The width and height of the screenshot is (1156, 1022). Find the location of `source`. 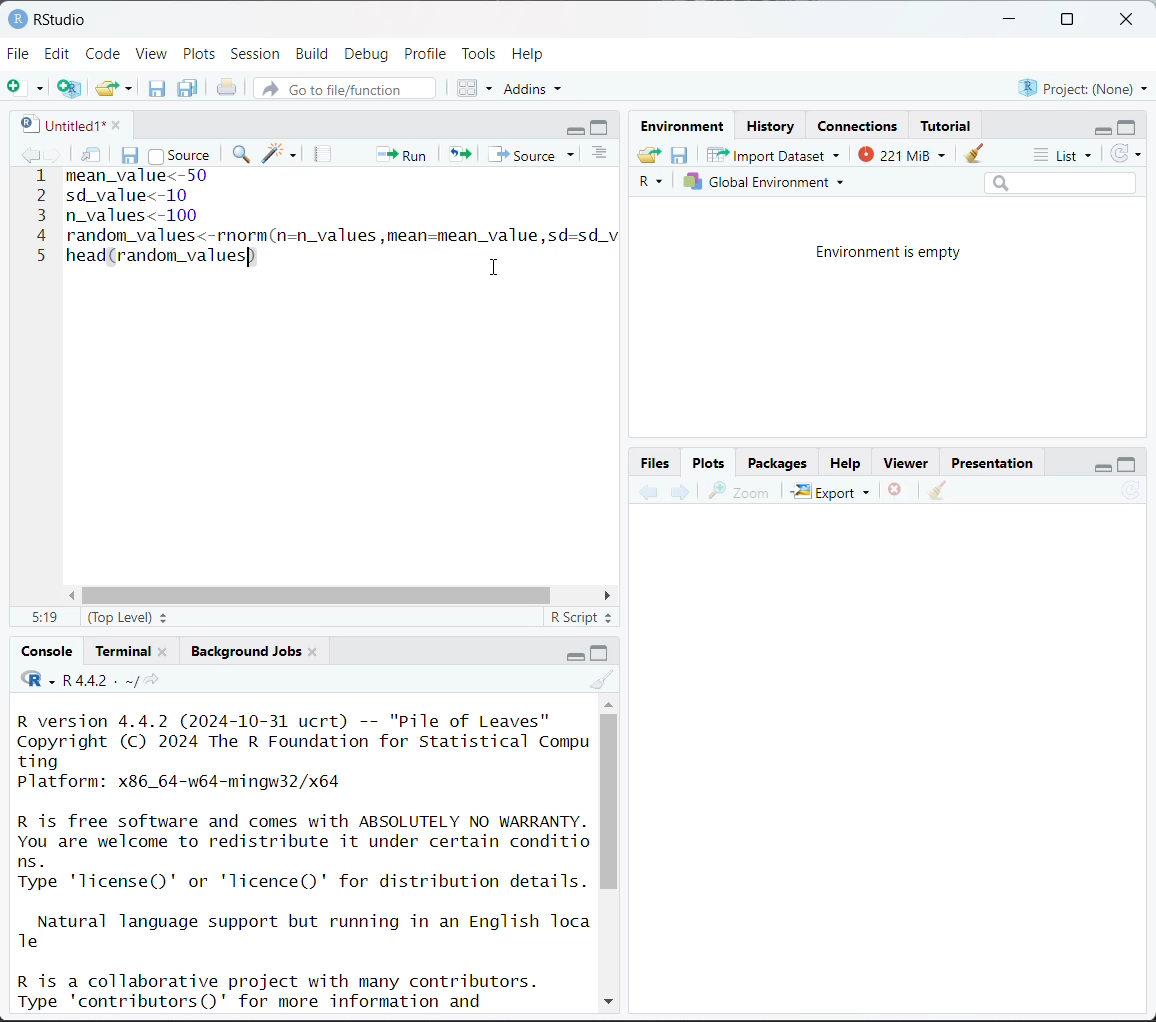

source is located at coordinates (535, 154).